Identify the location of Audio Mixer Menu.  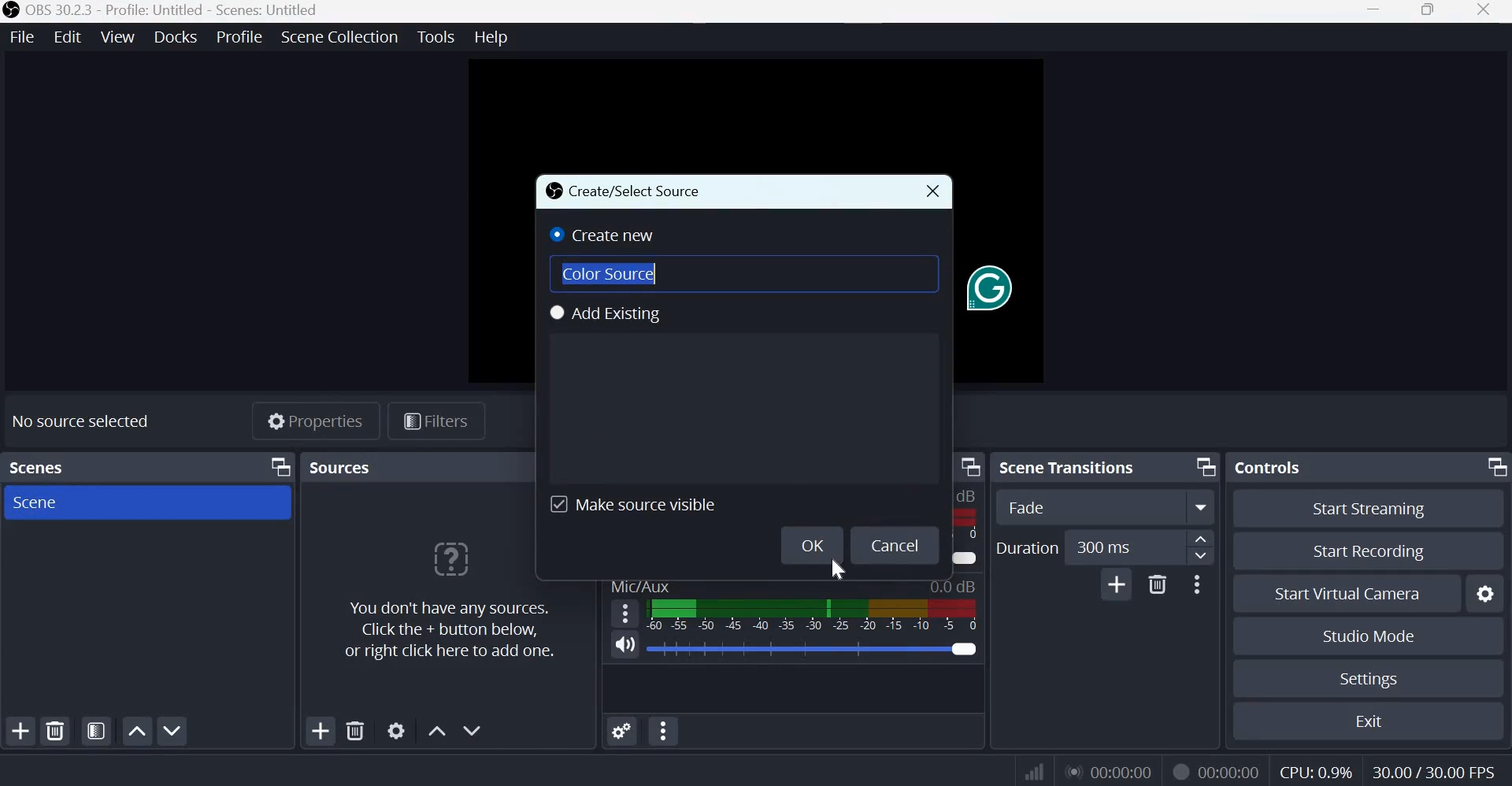
(664, 732).